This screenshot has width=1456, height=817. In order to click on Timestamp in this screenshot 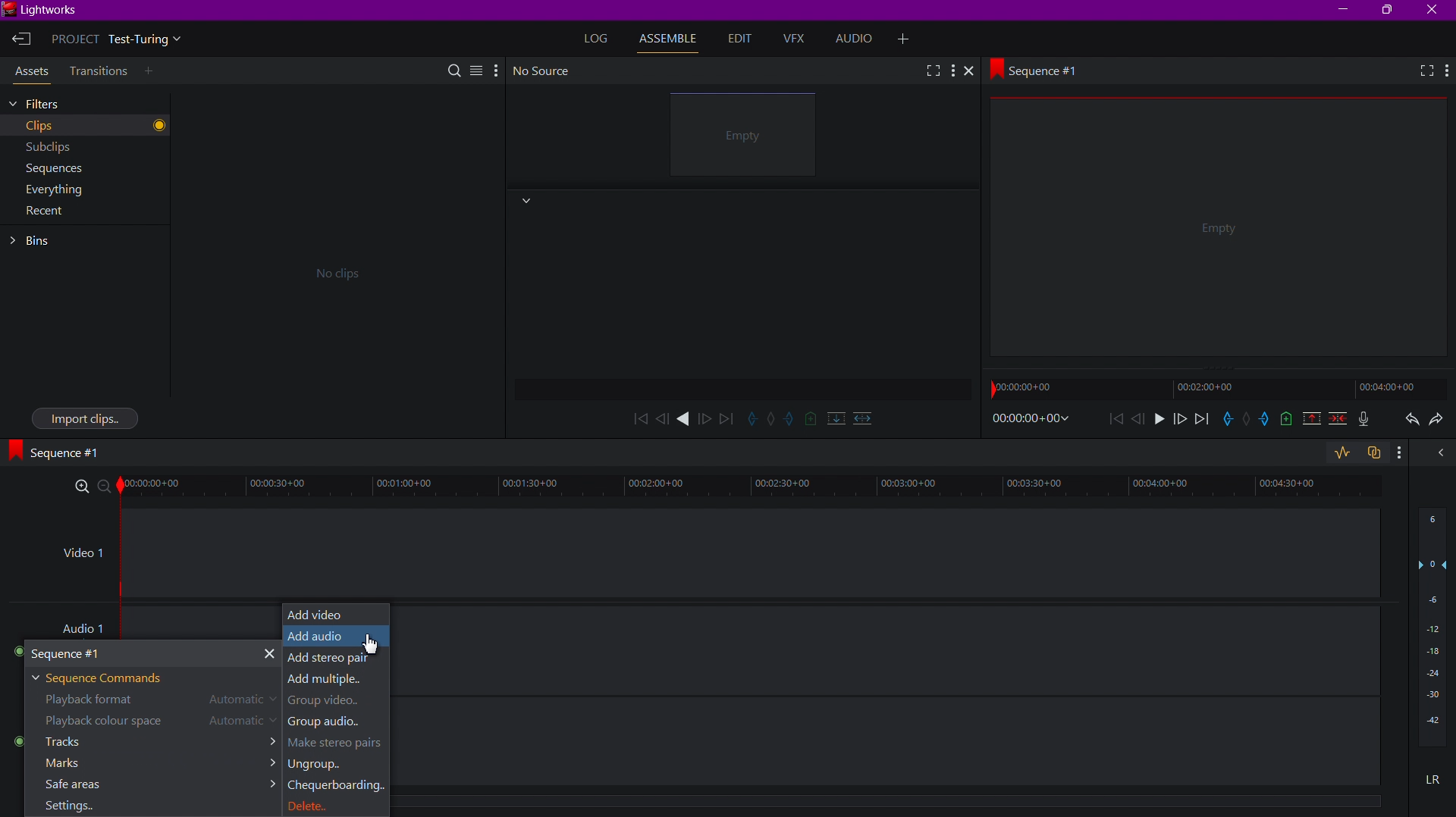, I will do `click(1031, 419)`.